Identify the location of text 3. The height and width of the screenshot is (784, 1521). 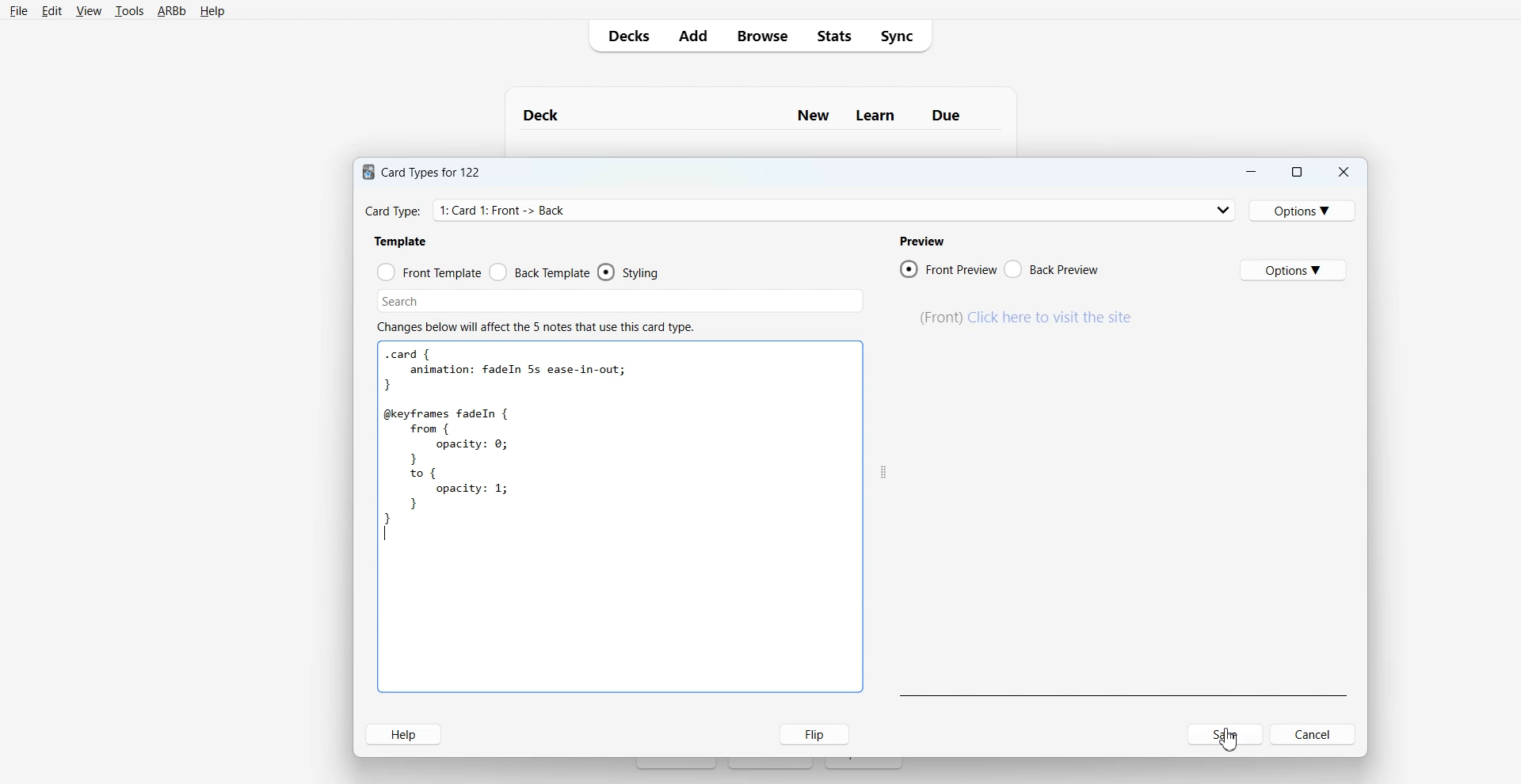
(921, 241).